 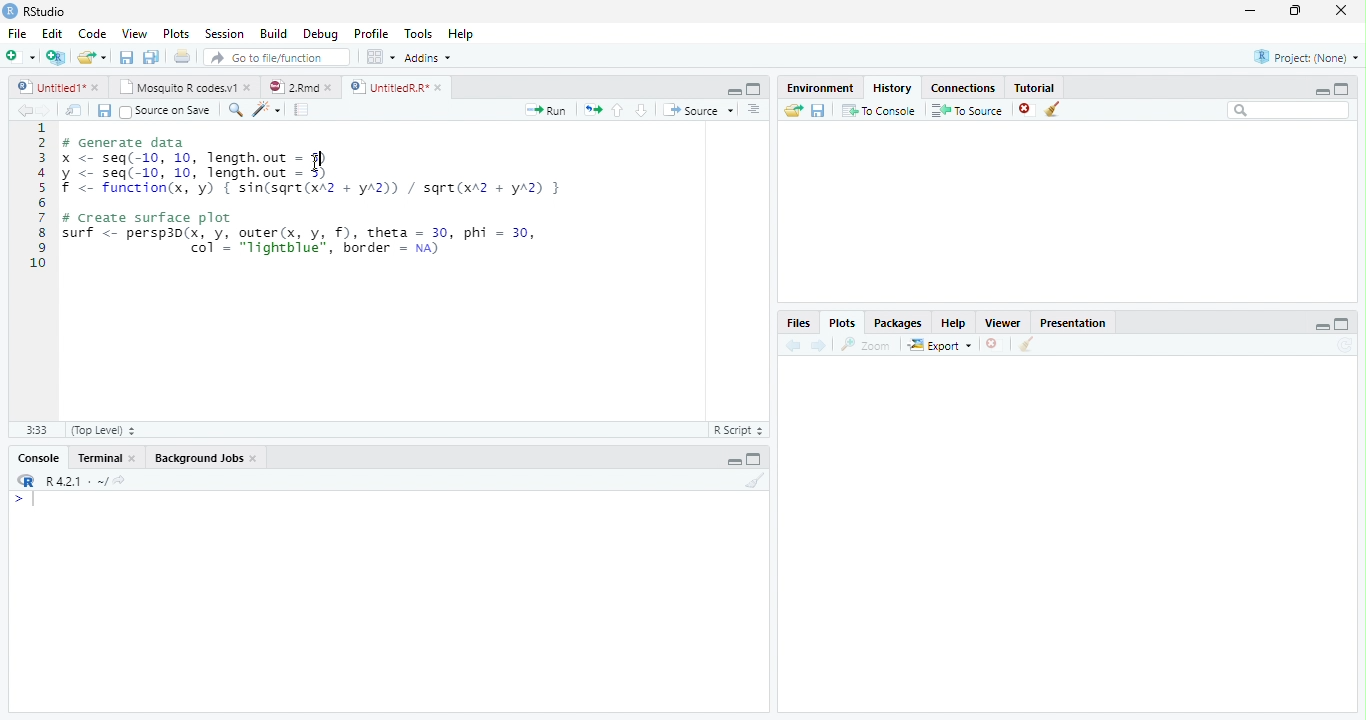 What do you see at coordinates (966, 110) in the screenshot?
I see `To Source` at bounding box center [966, 110].